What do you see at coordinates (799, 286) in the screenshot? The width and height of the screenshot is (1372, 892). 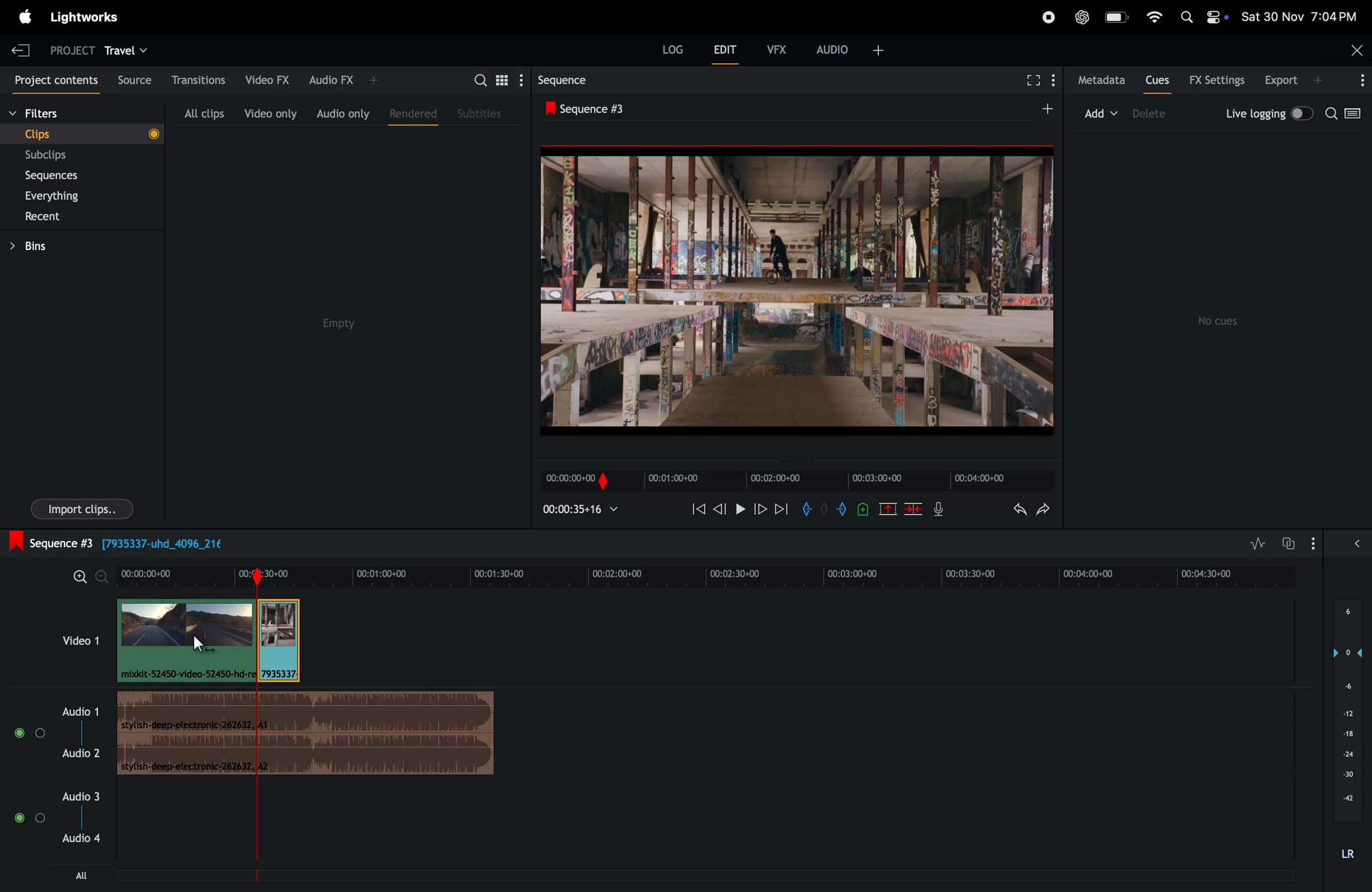 I see `output frame` at bounding box center [799, 286].